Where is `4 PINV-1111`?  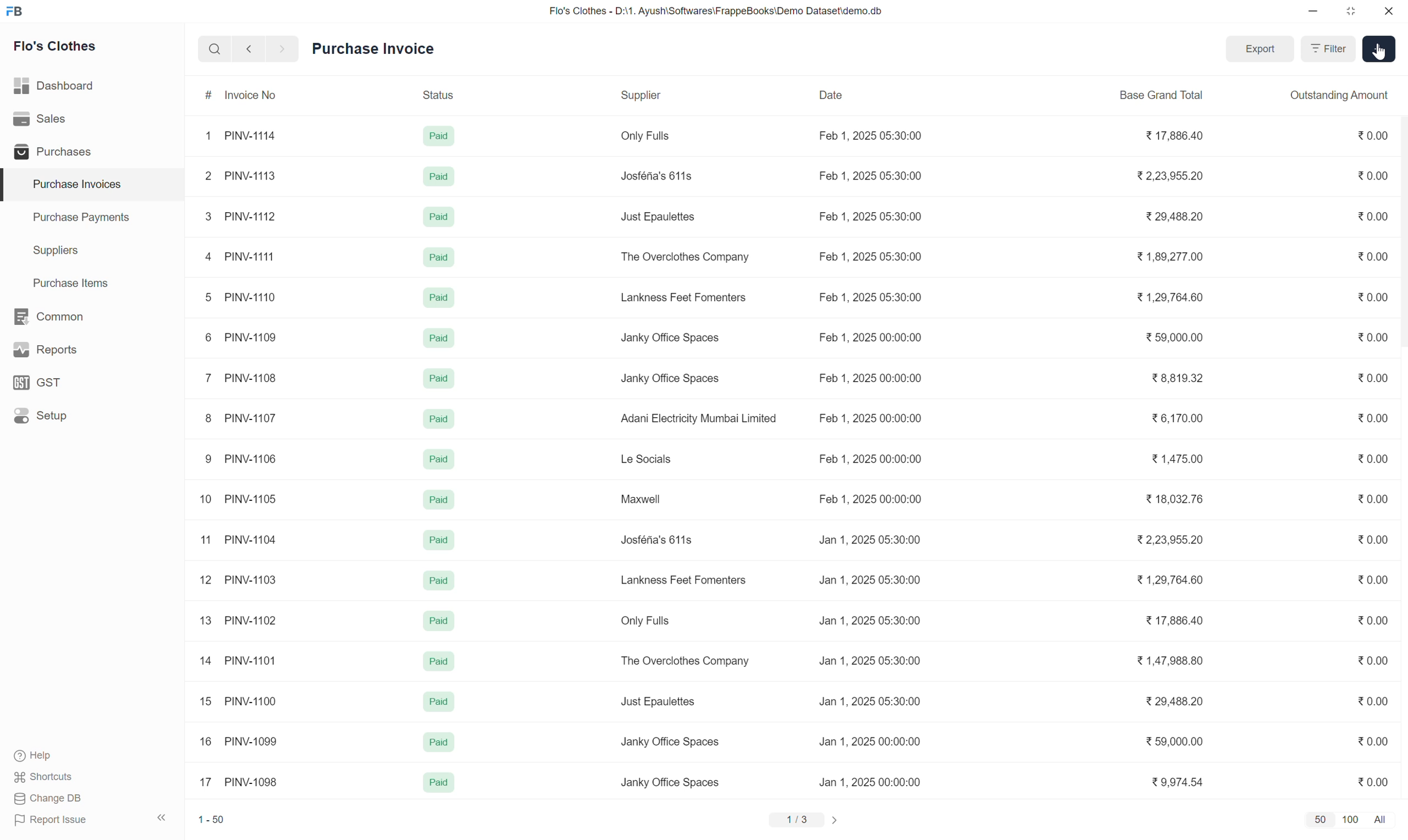
4 PINV-1111 is located at coordinates (241, 256).